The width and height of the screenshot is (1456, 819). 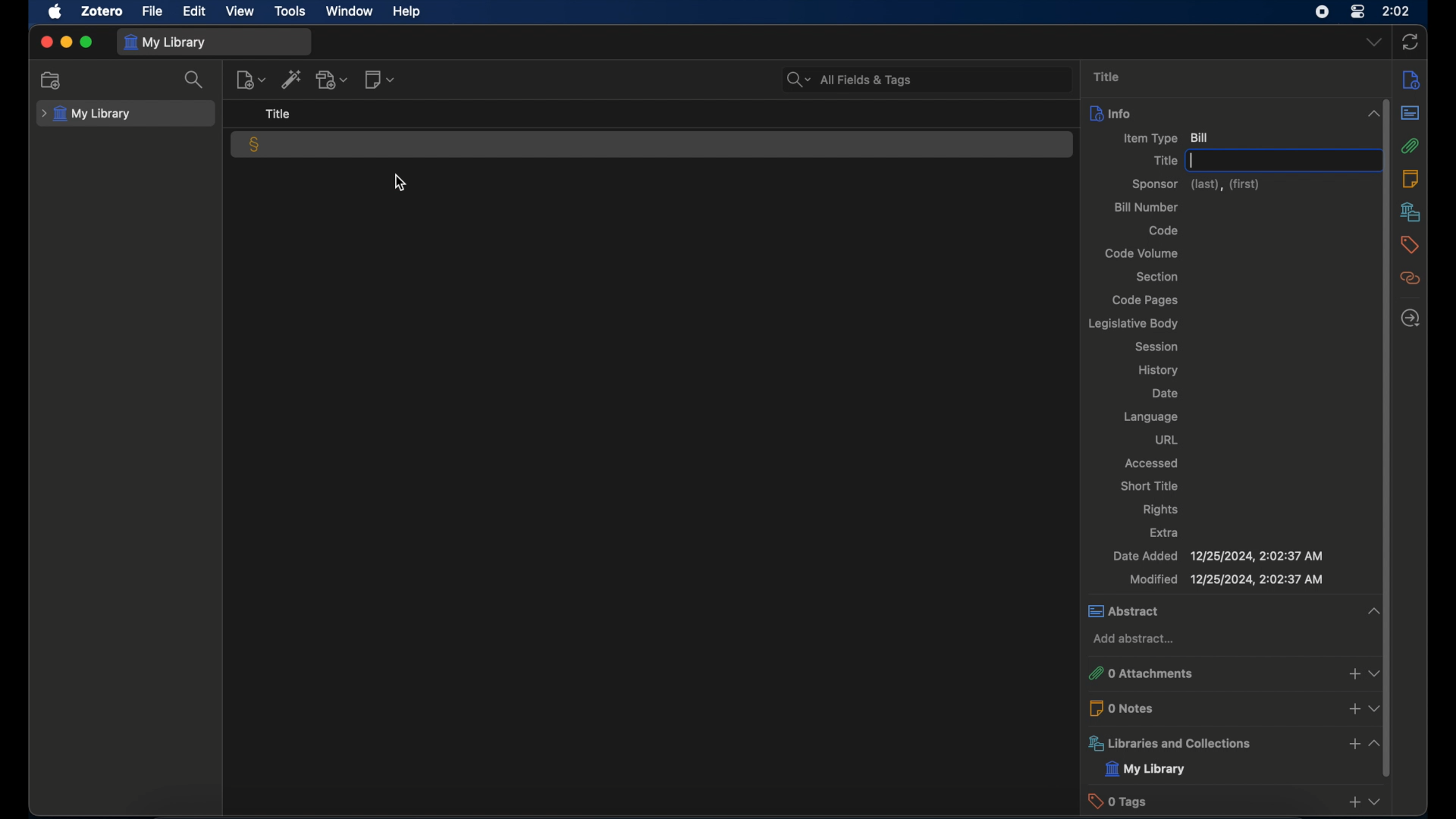 I want to click on abstract, so click(x=1234, y=610).